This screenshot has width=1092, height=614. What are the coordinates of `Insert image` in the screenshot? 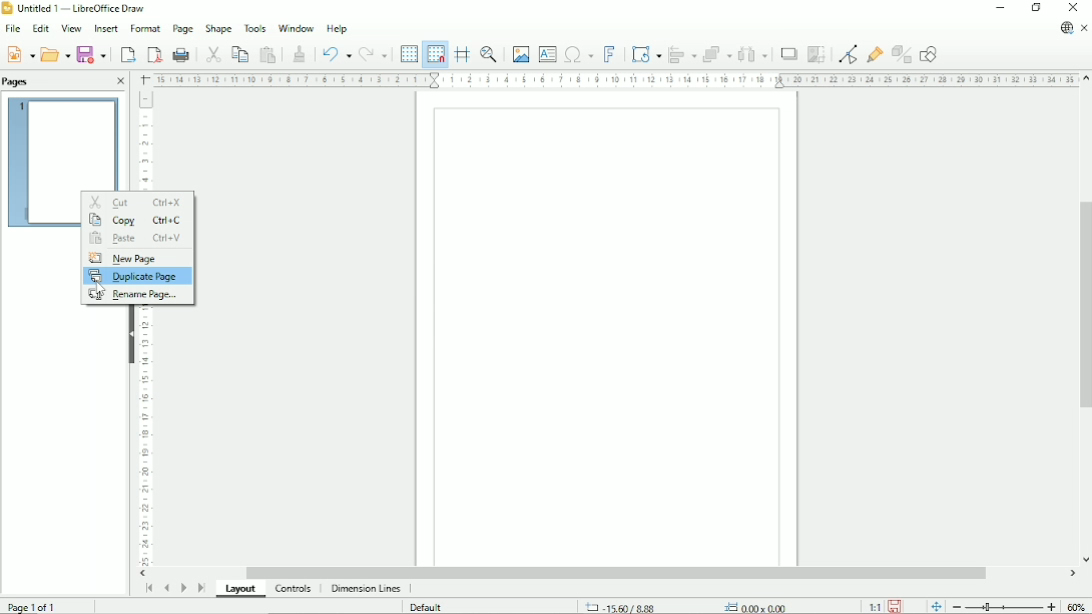 It's located at (519, 54).